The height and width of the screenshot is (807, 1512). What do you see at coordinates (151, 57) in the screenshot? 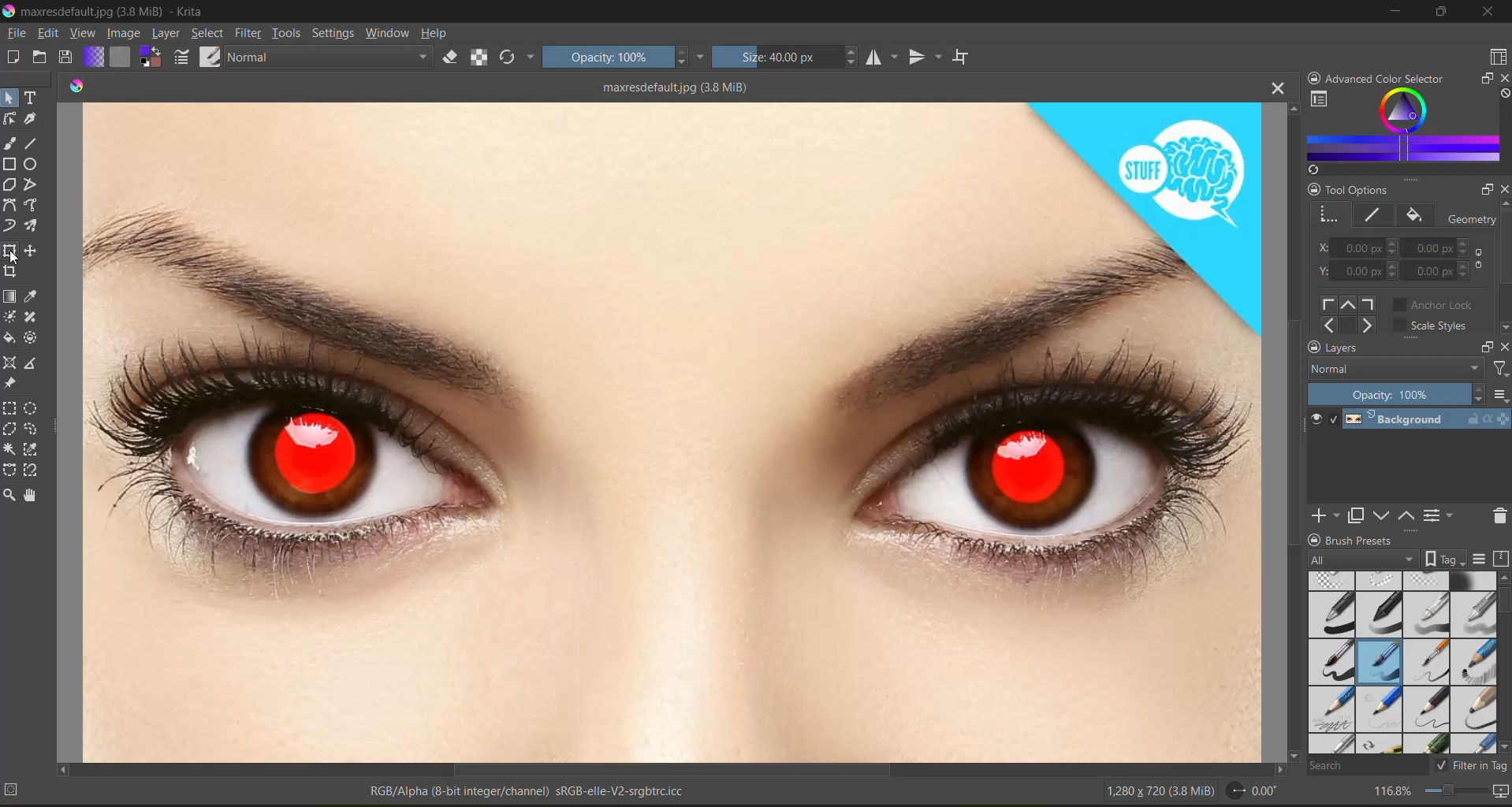
I see `swap foreground background color` at bounding box center [151, 57].